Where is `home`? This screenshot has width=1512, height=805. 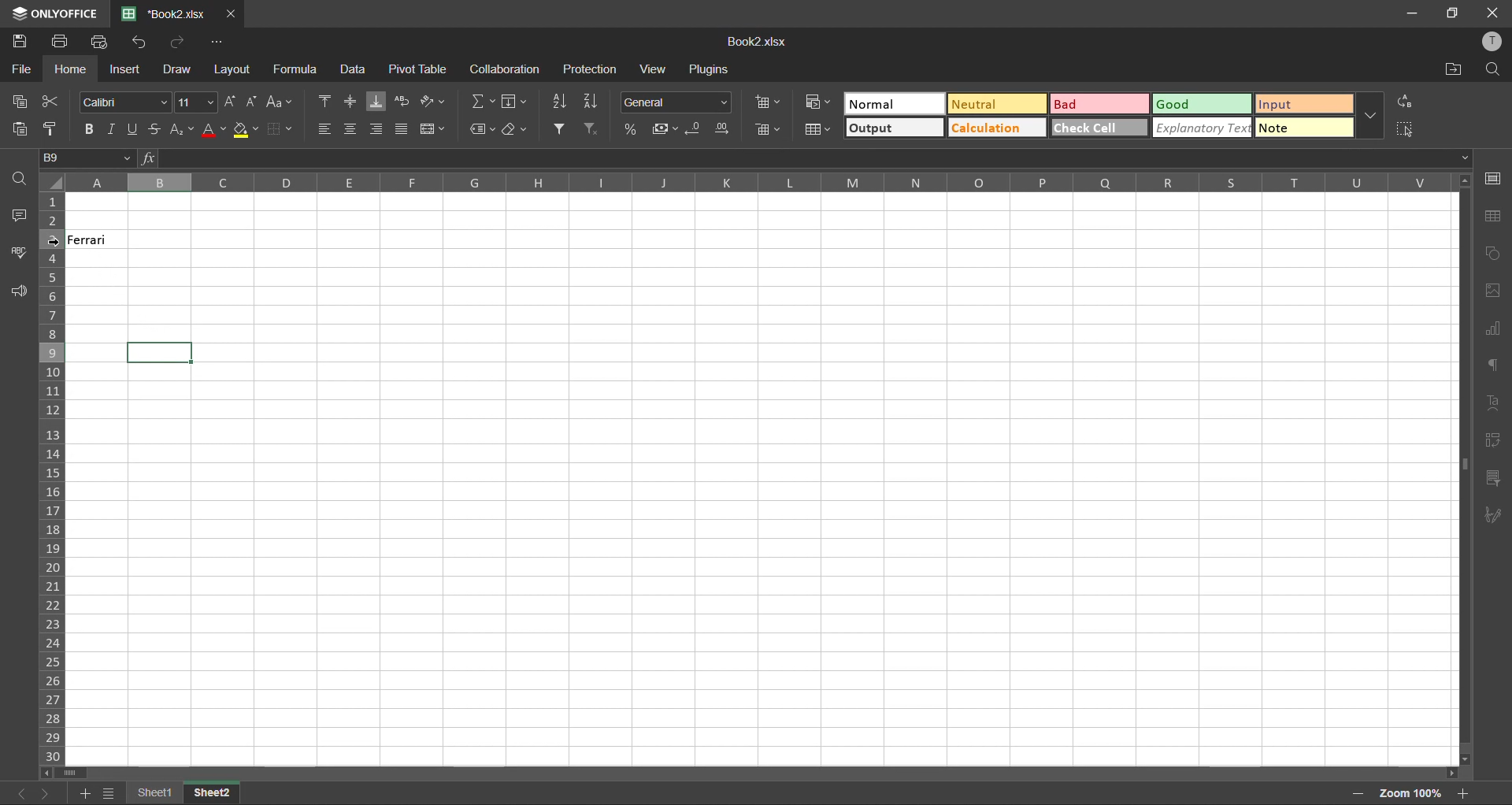
home is located at coordinates (72, 69).